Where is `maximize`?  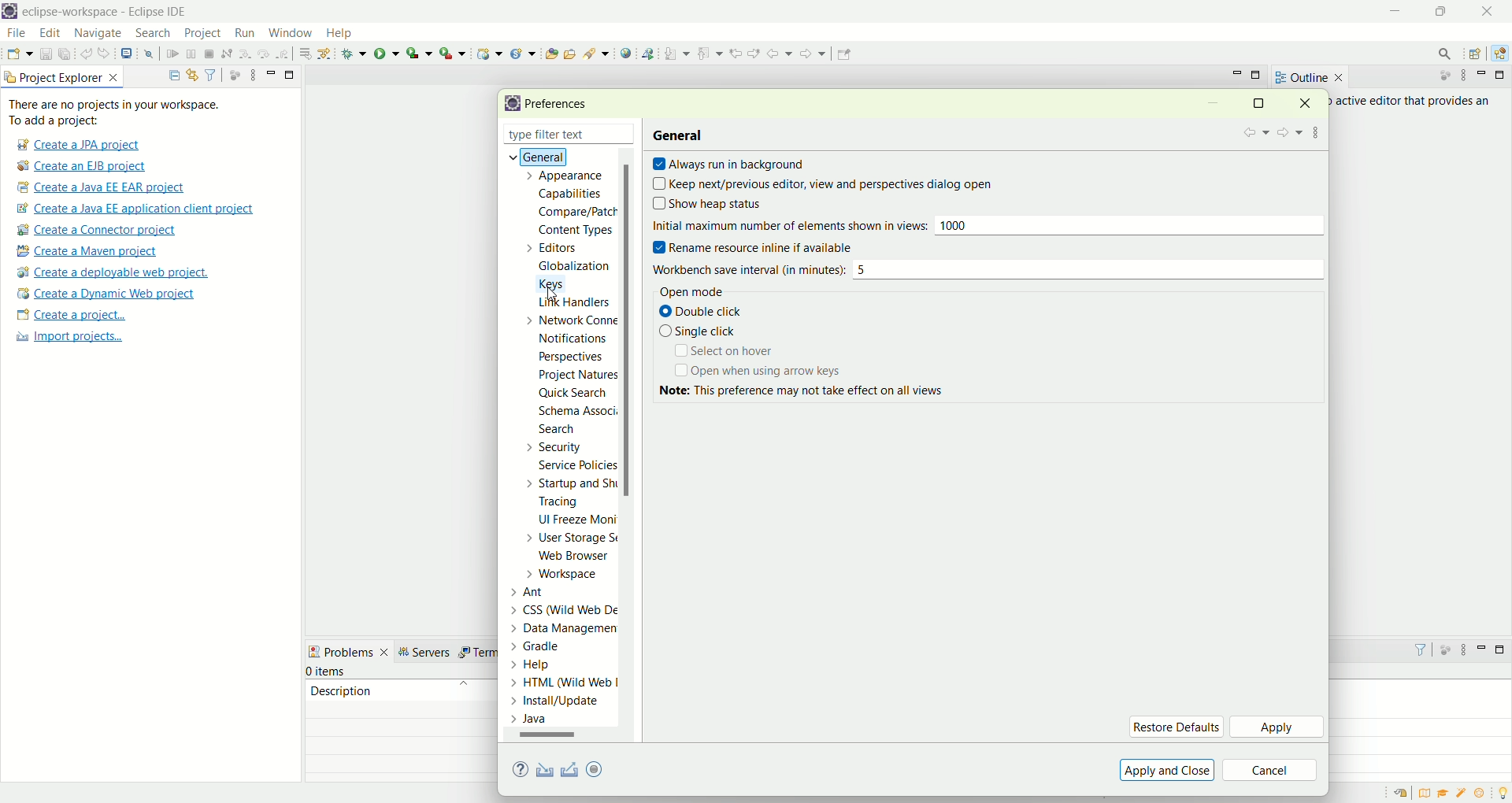 maximize is located at coordinates (1503, 75).